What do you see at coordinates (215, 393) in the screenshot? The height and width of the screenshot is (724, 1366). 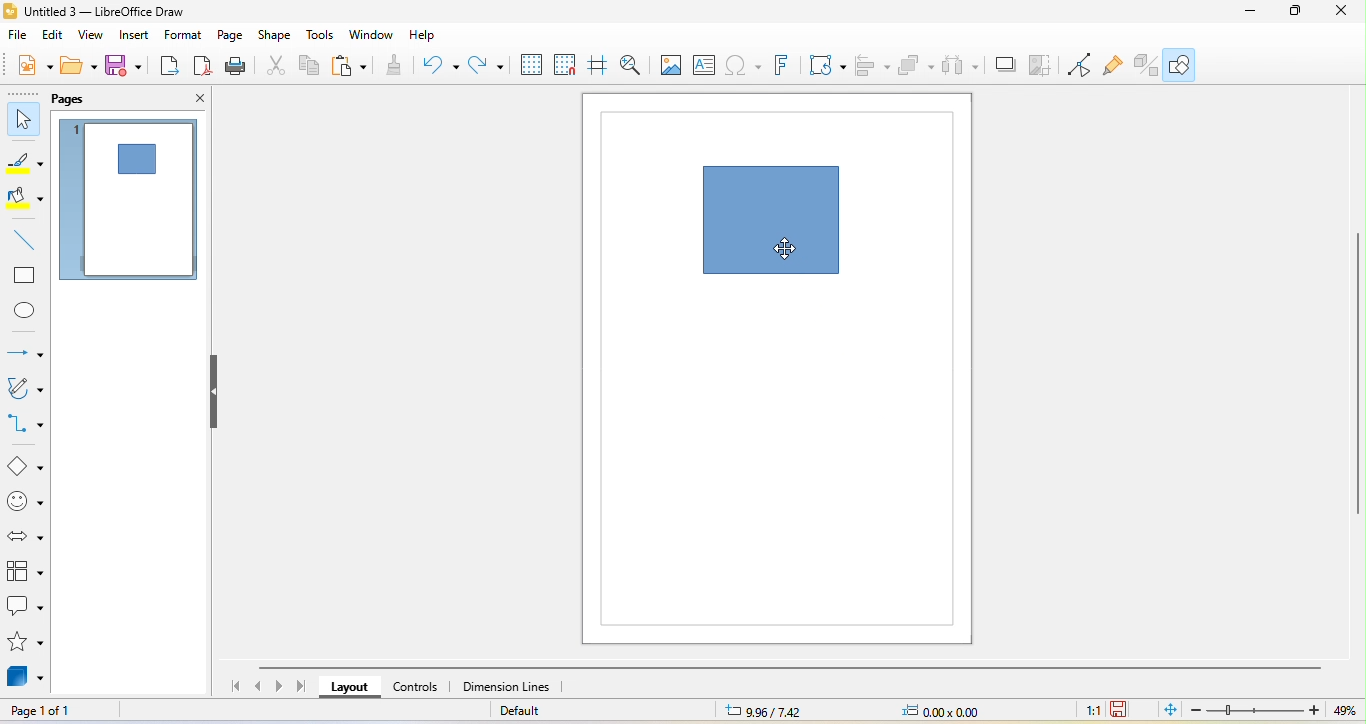 I see `hide` at bounding box center [215, 393].